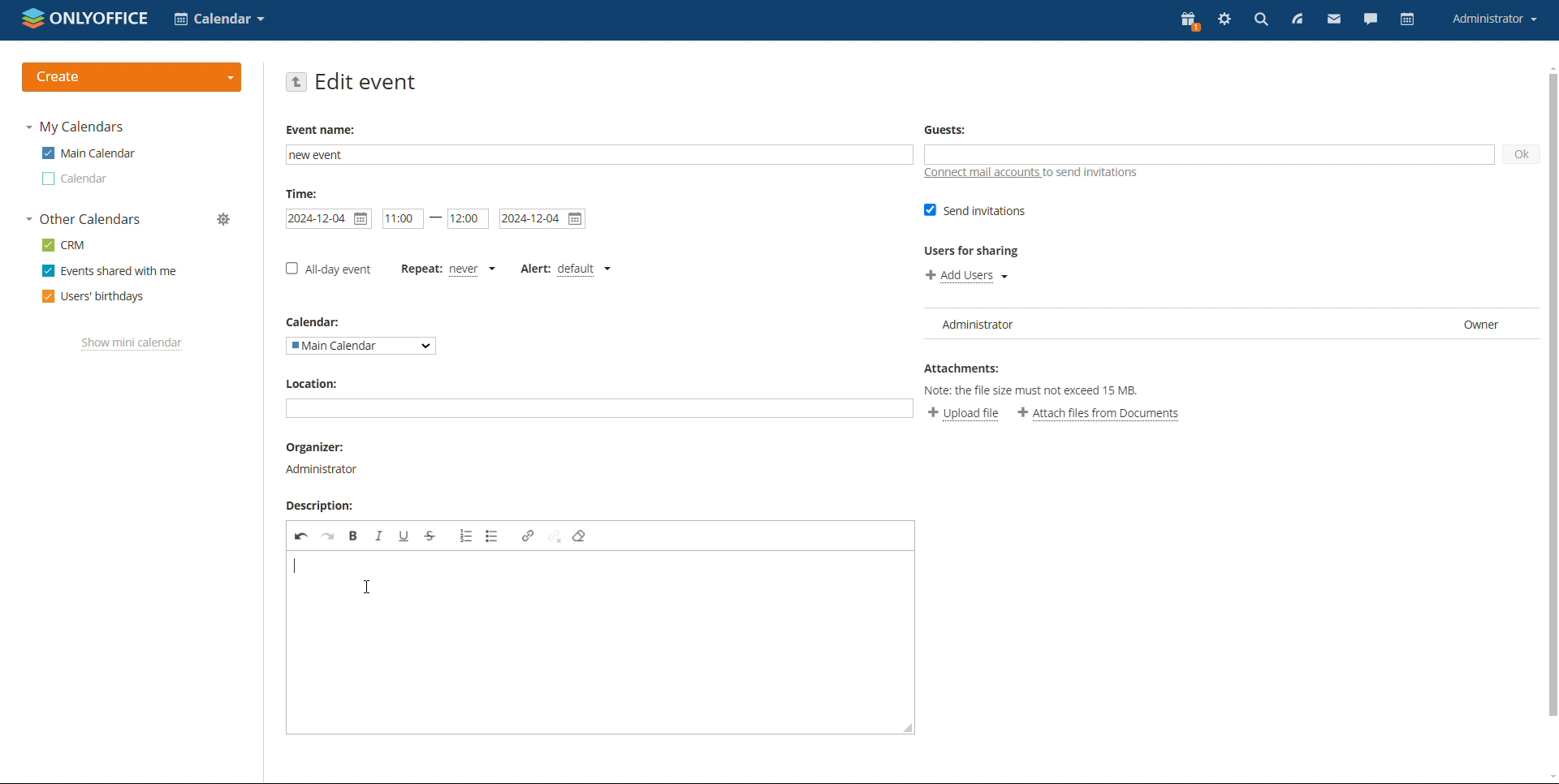 Image resolution: width=1559 pixels, height=784 pixels. I want to click on set repetition, so click(419, 267).